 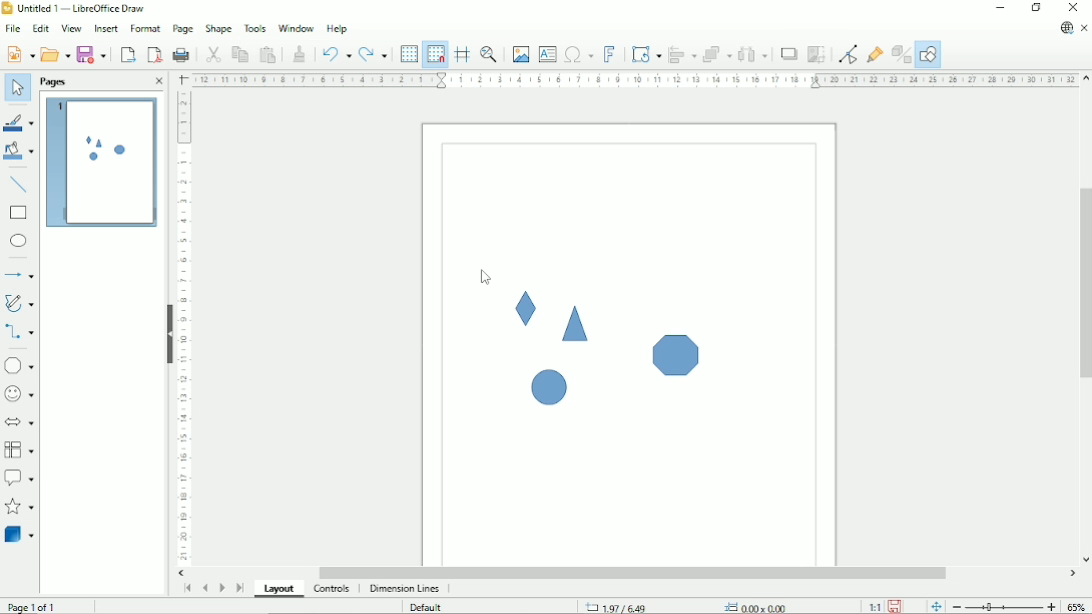 I want to click on Basic shapes, so click(x=22, y=365).